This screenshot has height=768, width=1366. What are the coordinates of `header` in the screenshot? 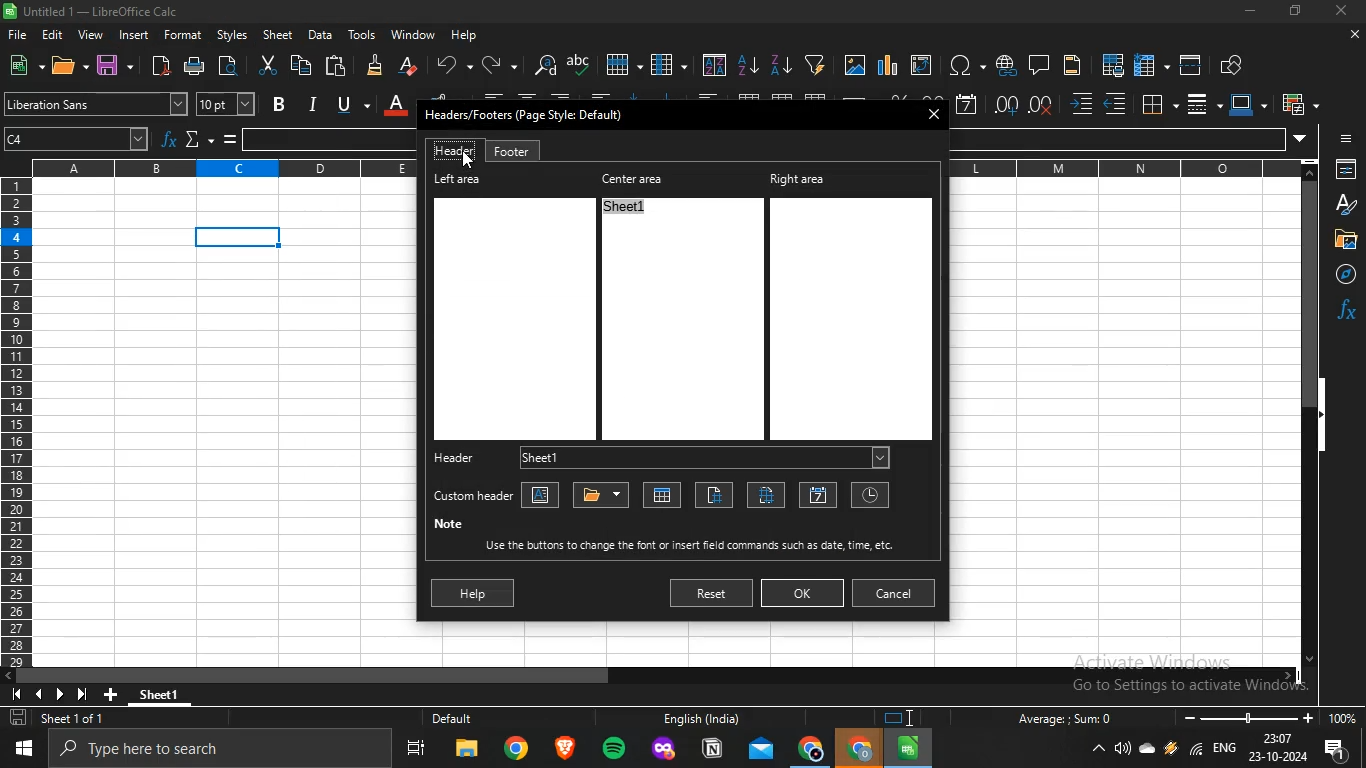 It's located at (464, 456).